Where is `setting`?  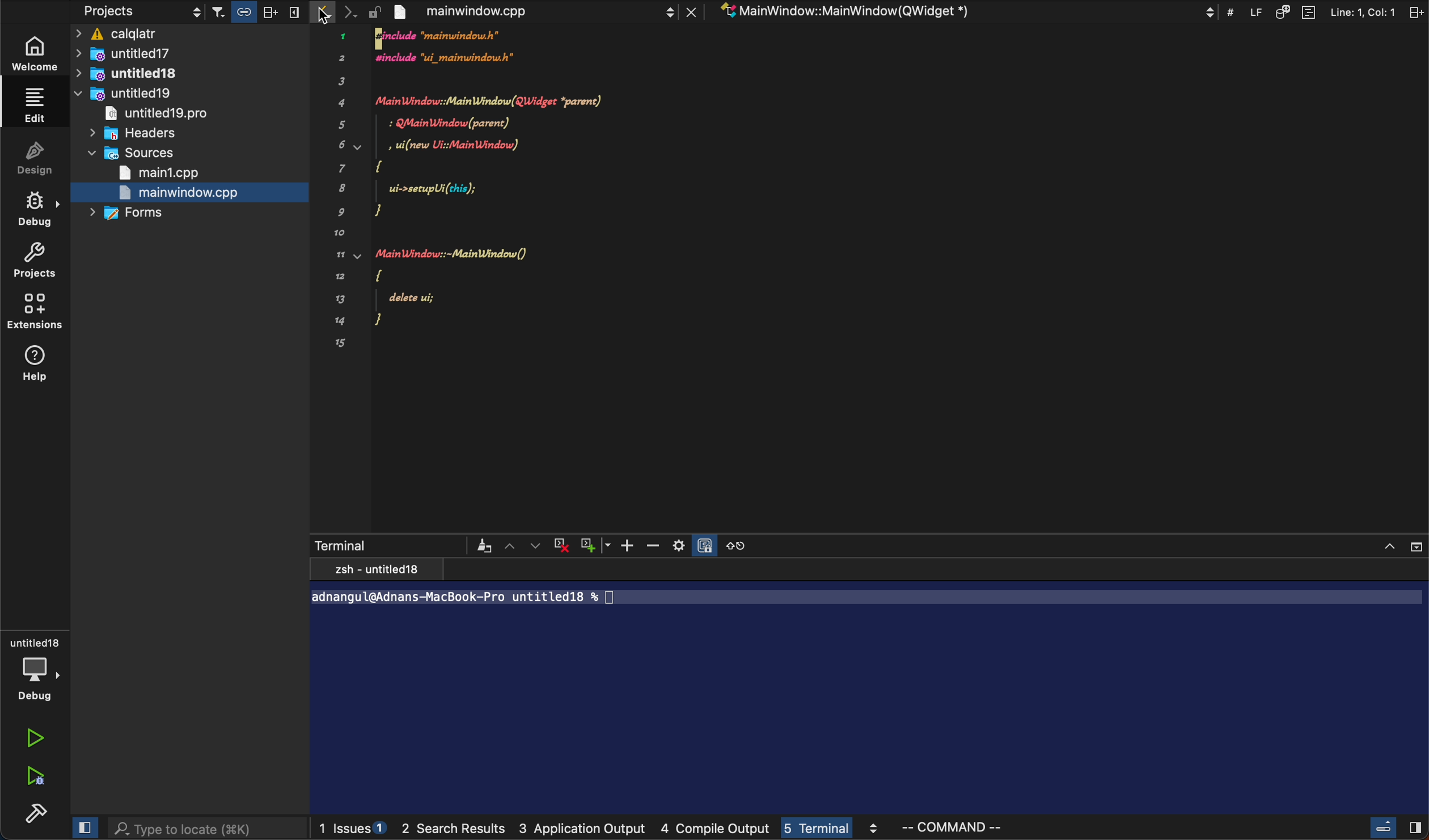
setting is located at coordinates (695, 545).